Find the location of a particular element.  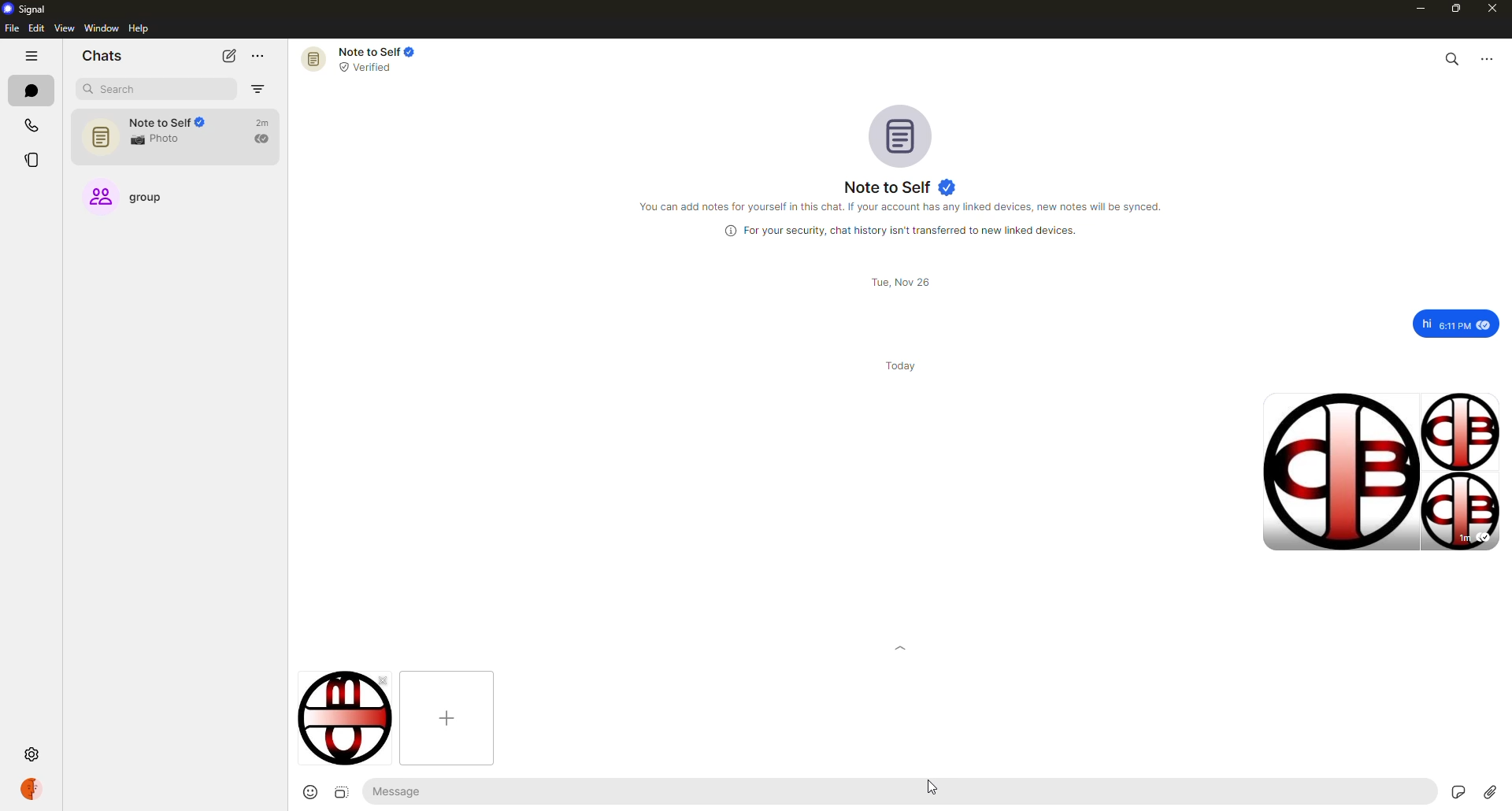

image edited is located at coordinates (346, 717).